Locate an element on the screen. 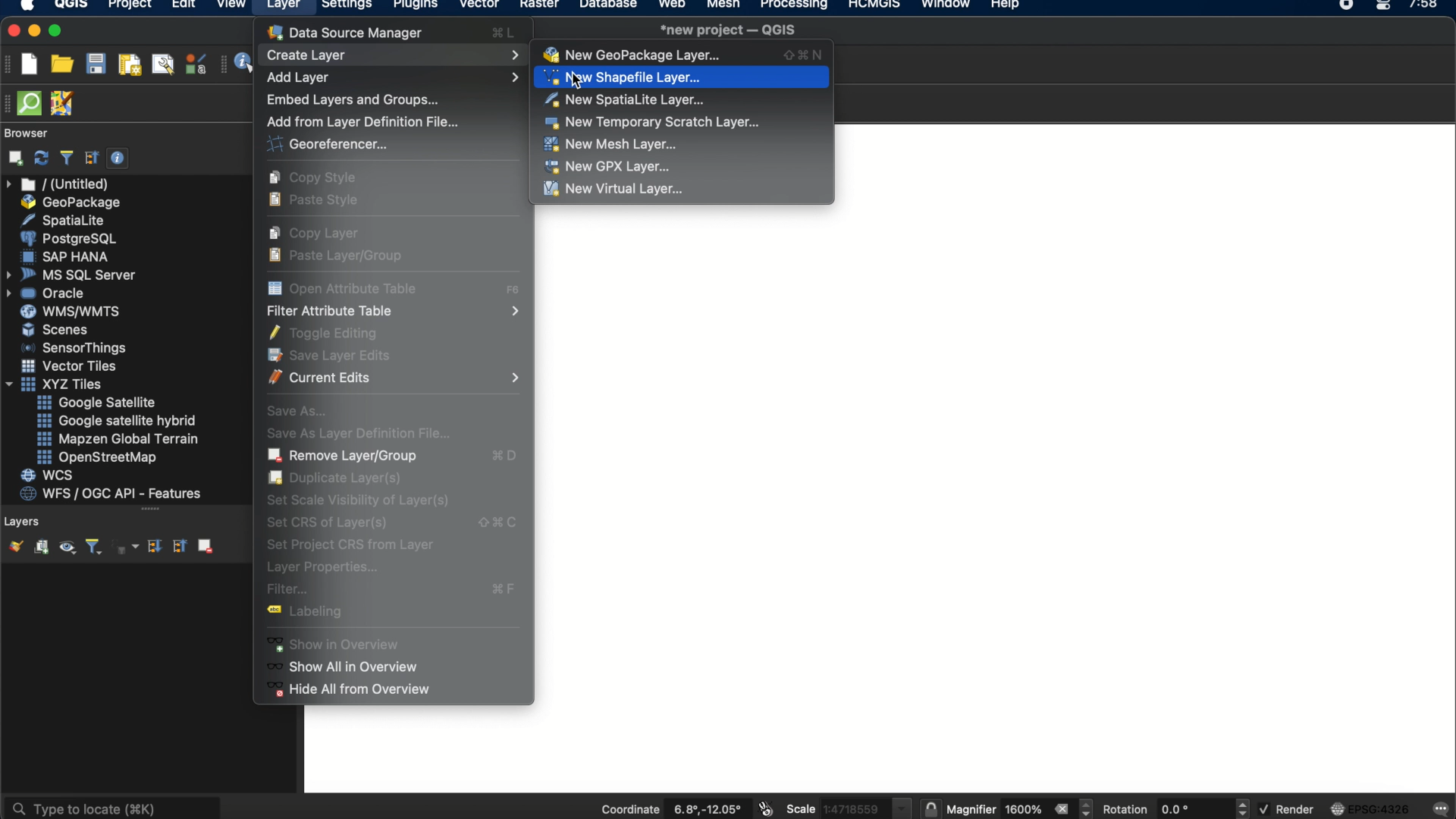 The image size is (1456, 819). Embed layers and groups... is located at coordinates (351, 100).